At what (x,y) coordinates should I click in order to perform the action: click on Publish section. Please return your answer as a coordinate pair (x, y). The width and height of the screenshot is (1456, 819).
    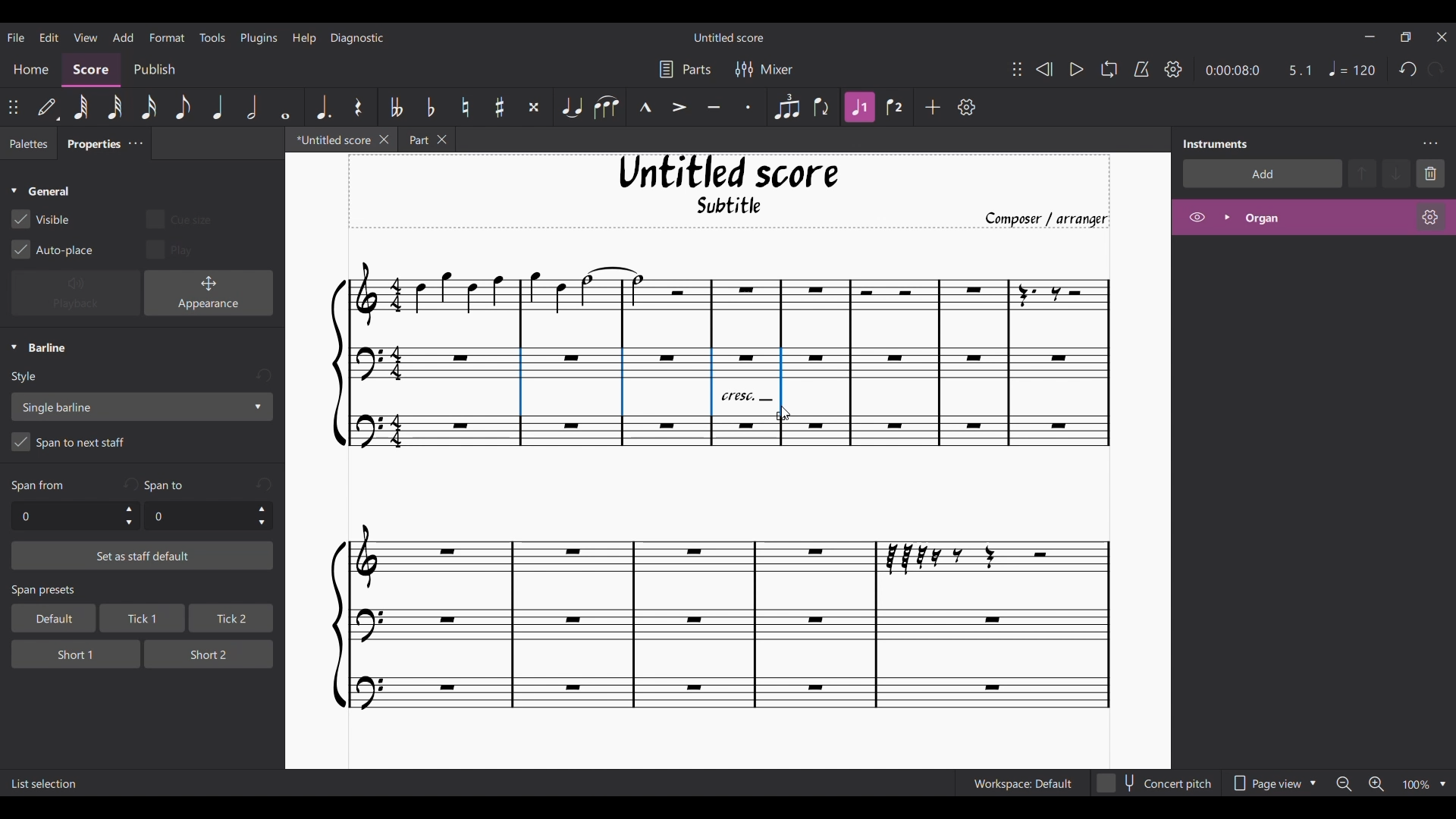
    Looking at the image, I should click on (154, 70).